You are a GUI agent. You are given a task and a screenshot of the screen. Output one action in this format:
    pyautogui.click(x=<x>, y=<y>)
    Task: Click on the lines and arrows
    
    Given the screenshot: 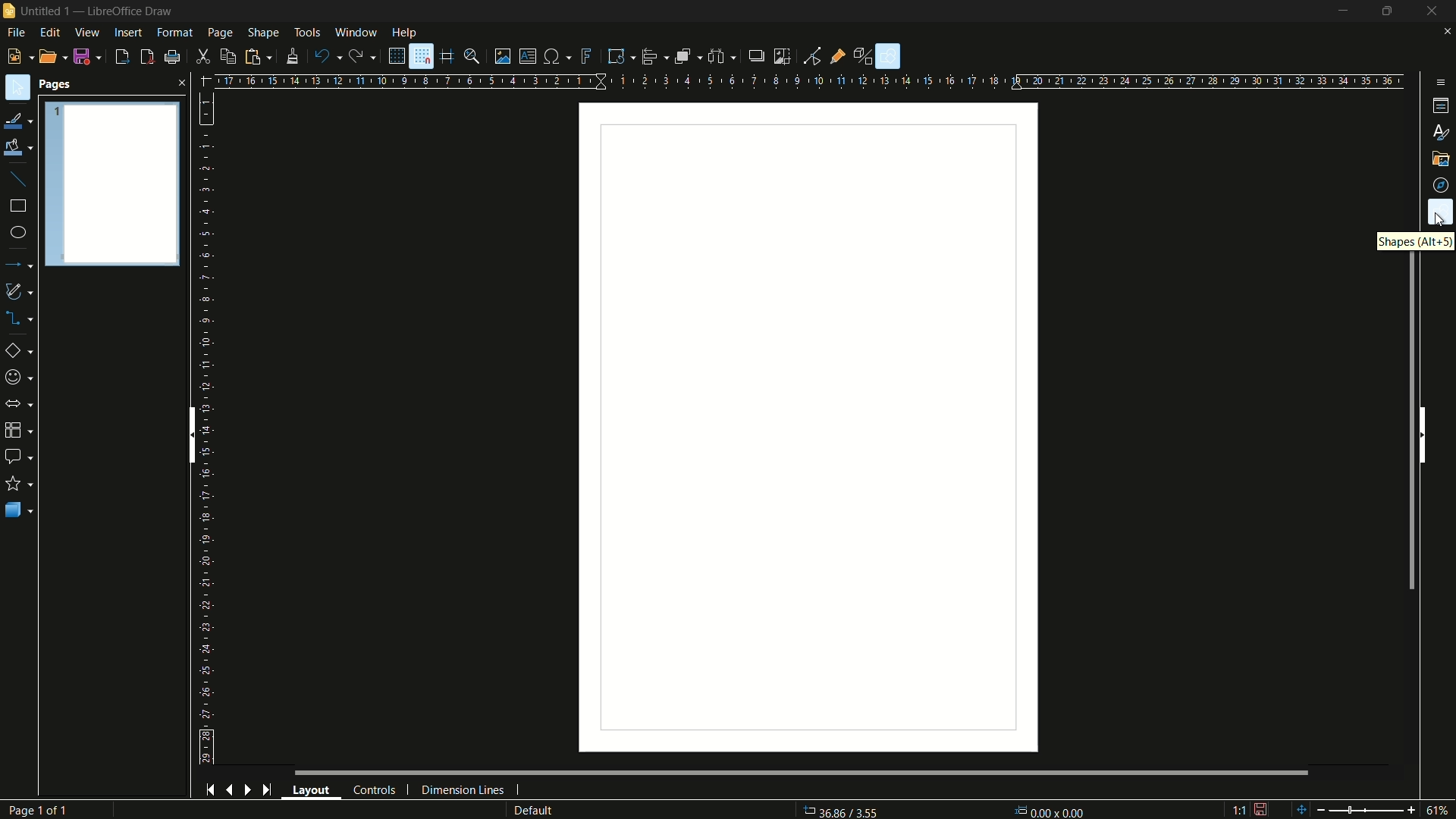 What is the action you would take?
    pyautogui.click(x=20, y=264)
    